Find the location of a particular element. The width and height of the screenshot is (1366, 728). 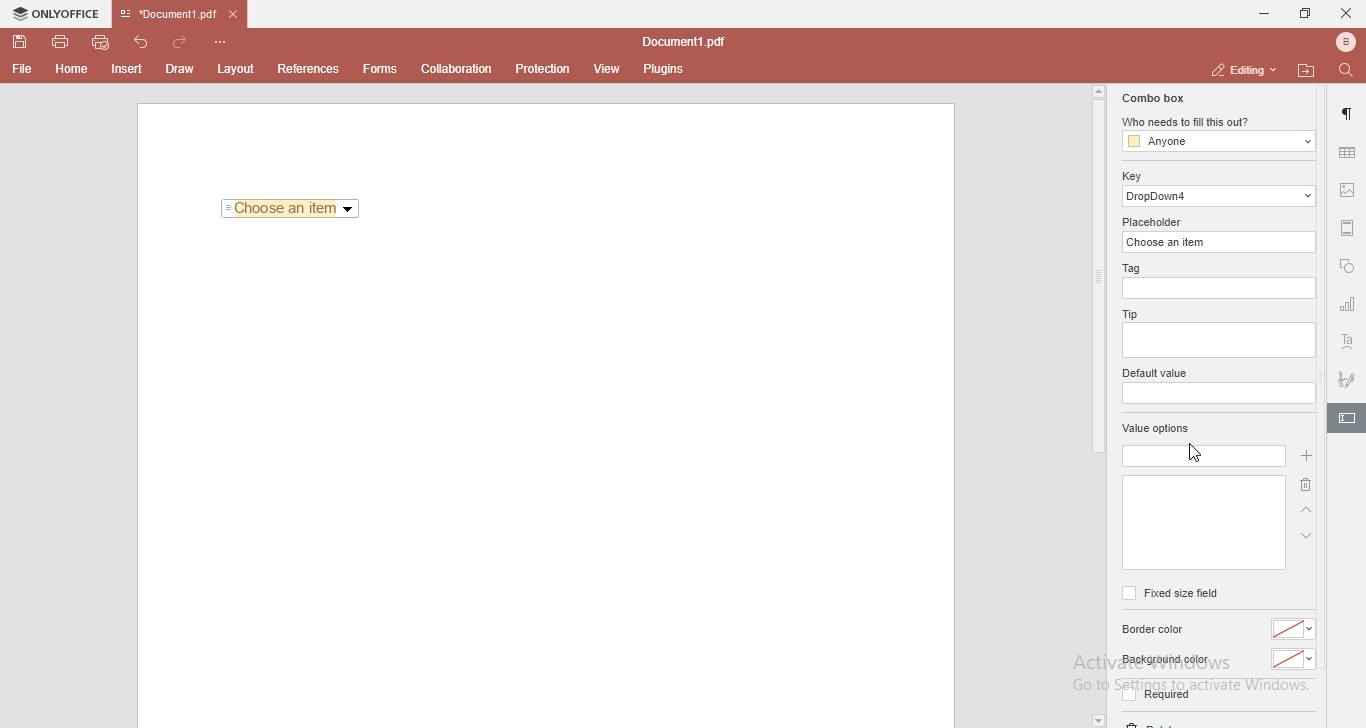

File is located at coordinates (20, 69).